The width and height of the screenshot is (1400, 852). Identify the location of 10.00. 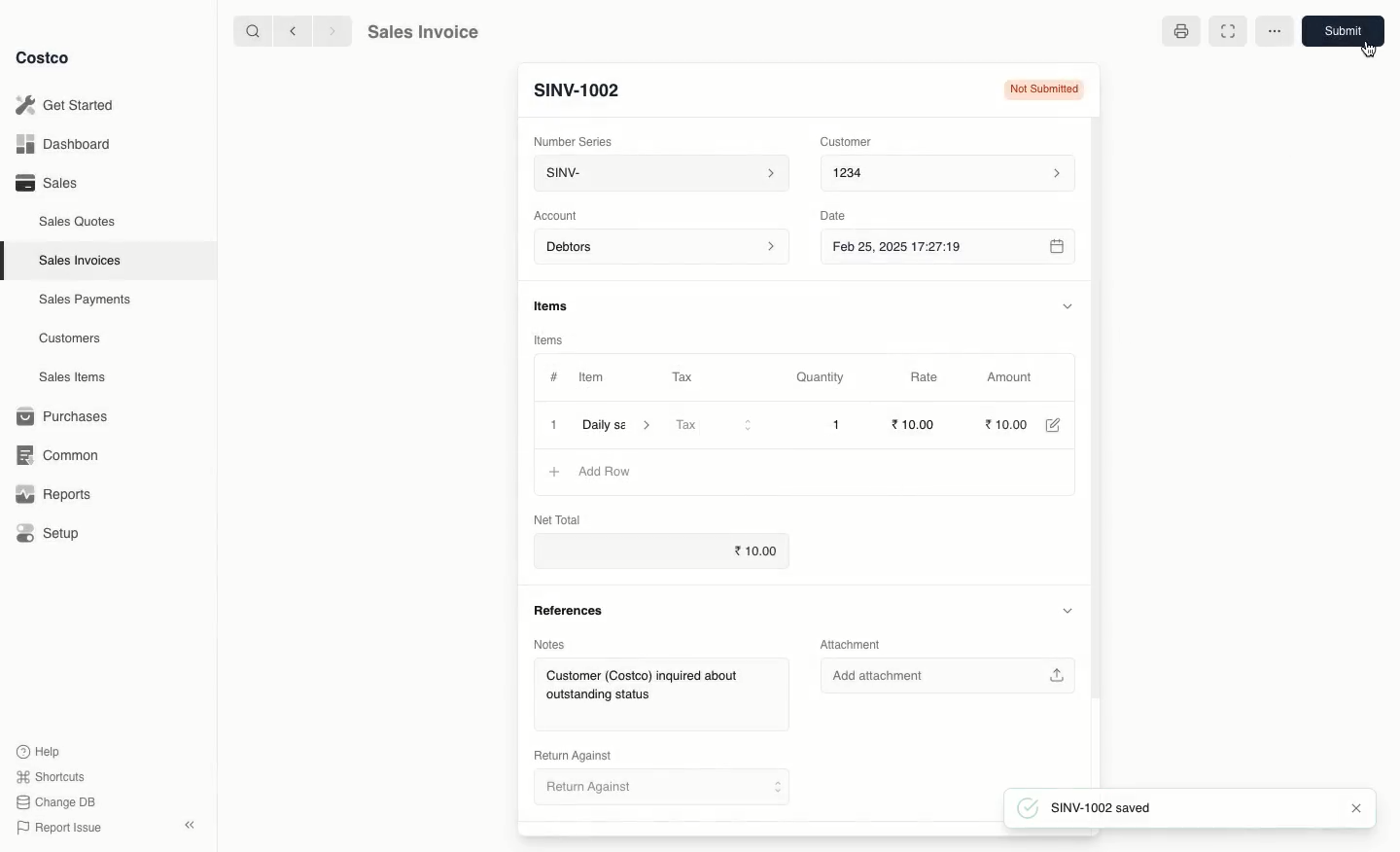
(916, 424).